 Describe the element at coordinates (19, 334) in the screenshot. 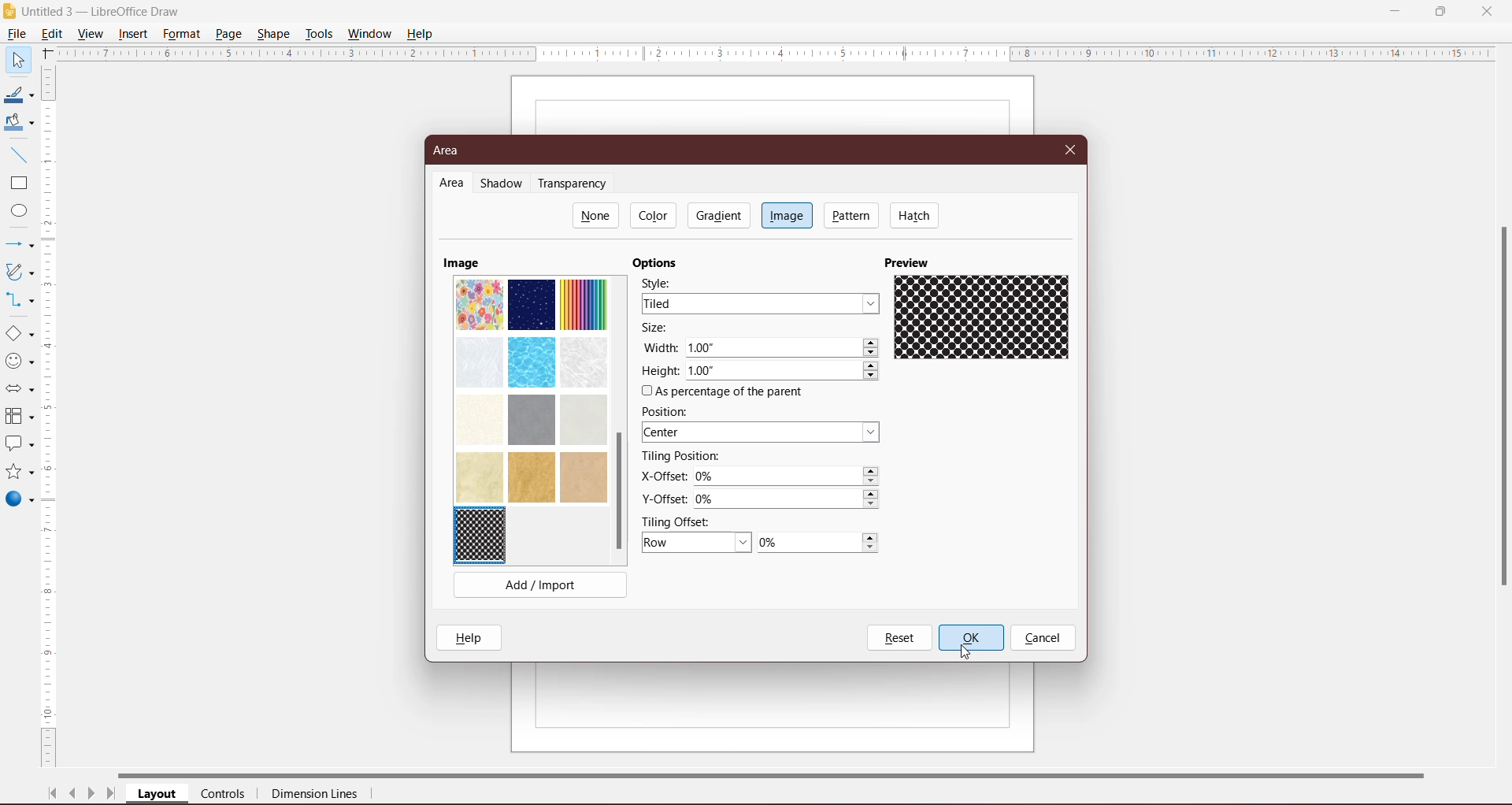

I see `Basic Shapes` at that location.